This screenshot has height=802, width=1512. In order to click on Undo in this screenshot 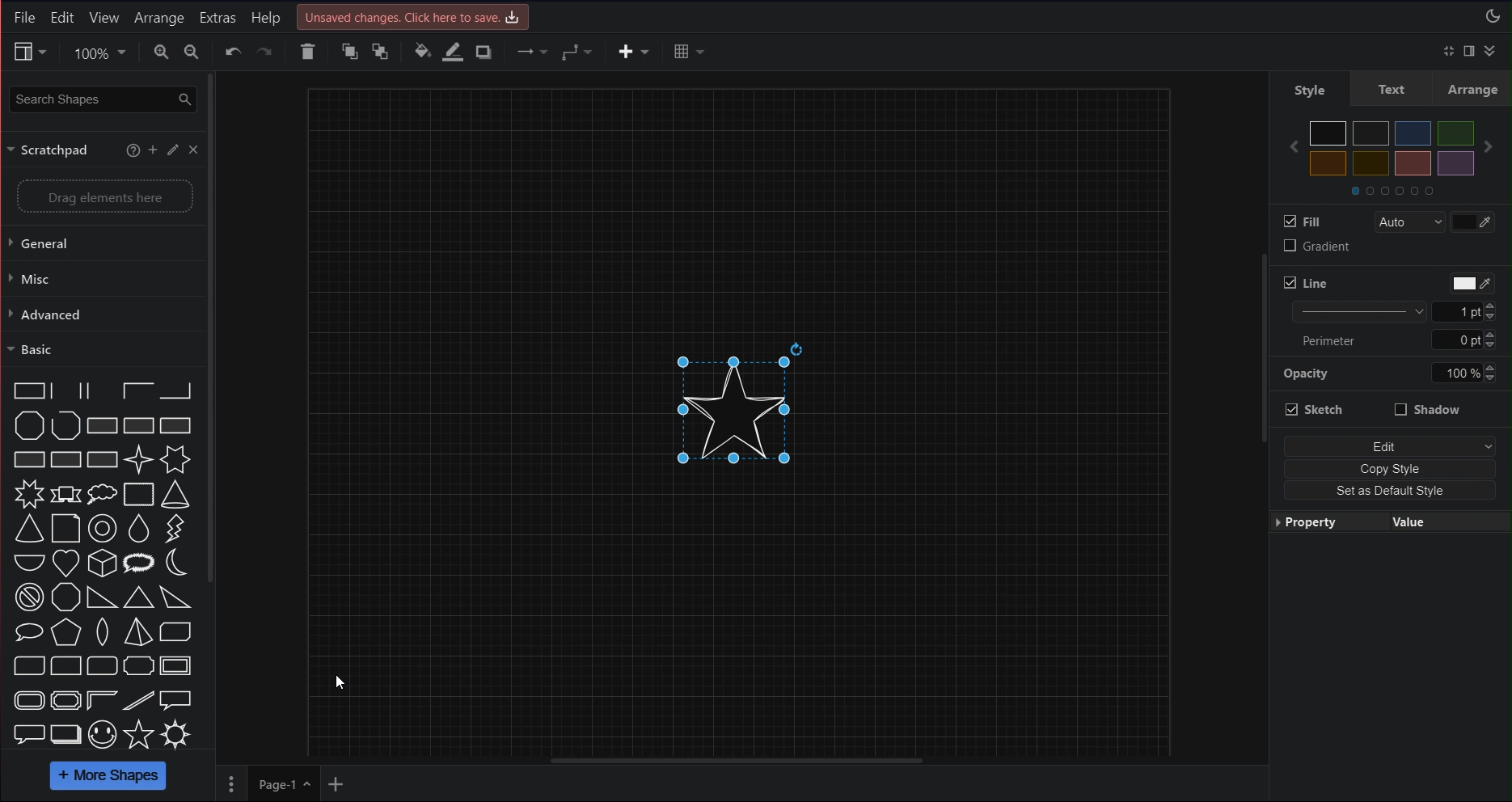, I will do `click(233, 52)`.